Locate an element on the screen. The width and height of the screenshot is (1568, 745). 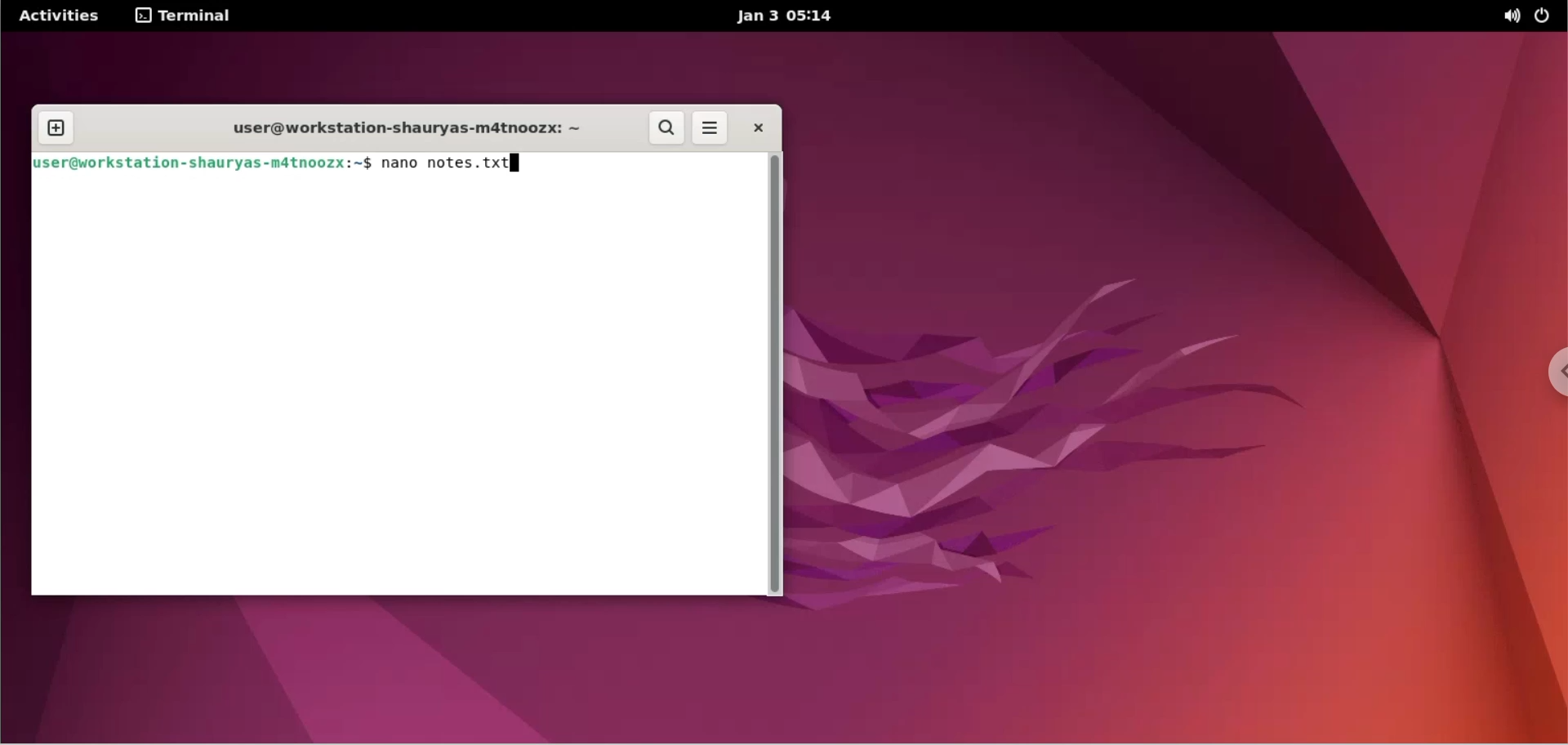
power options is located at coordinates (1546, 16).